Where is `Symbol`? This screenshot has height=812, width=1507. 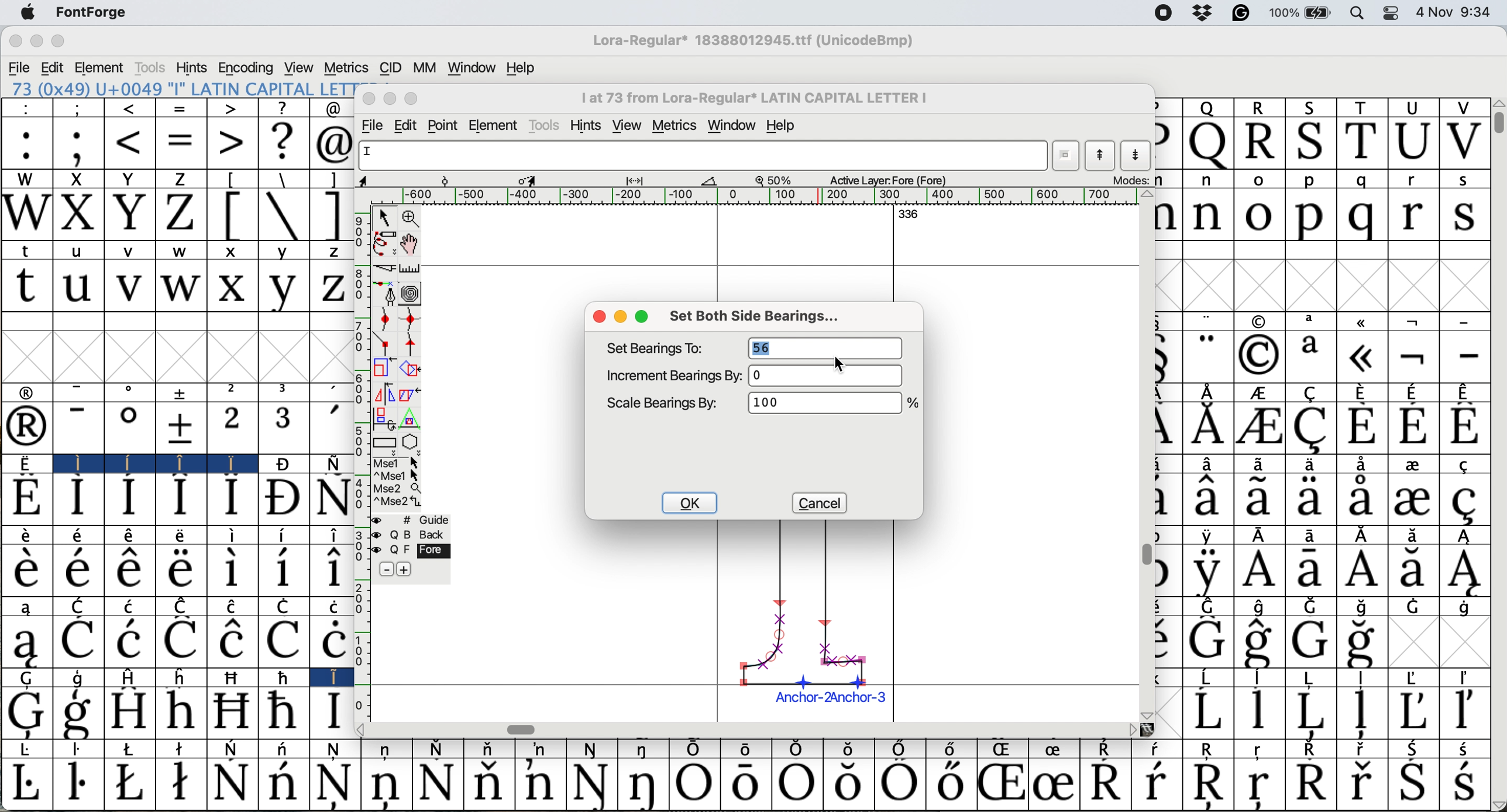
Symbol is located at coordinates (1468, 677).